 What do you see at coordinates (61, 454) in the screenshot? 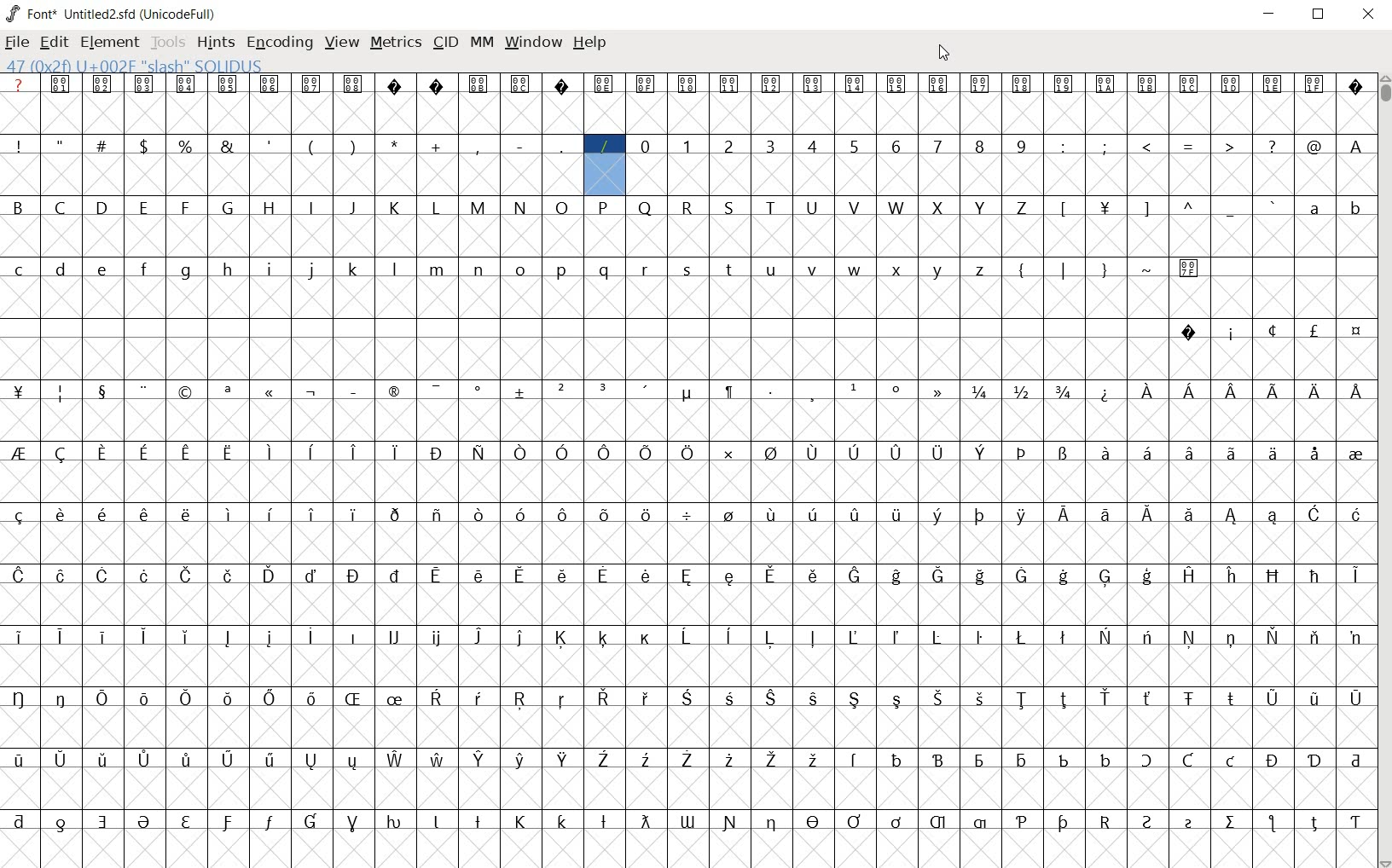
I see `glyph` at bounding box center [61, 454].